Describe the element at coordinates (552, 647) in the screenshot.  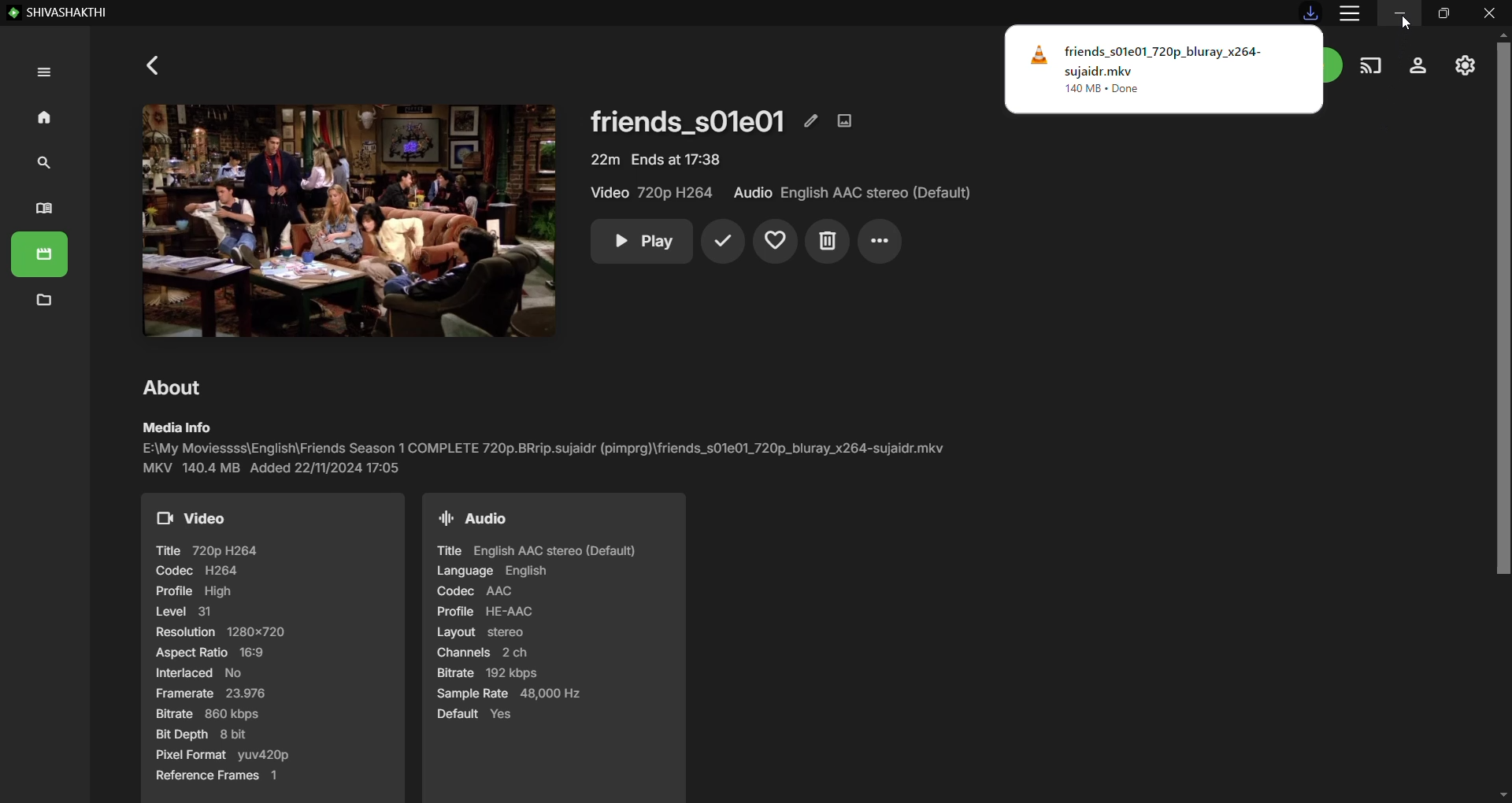
I see `Audio details` at that location.